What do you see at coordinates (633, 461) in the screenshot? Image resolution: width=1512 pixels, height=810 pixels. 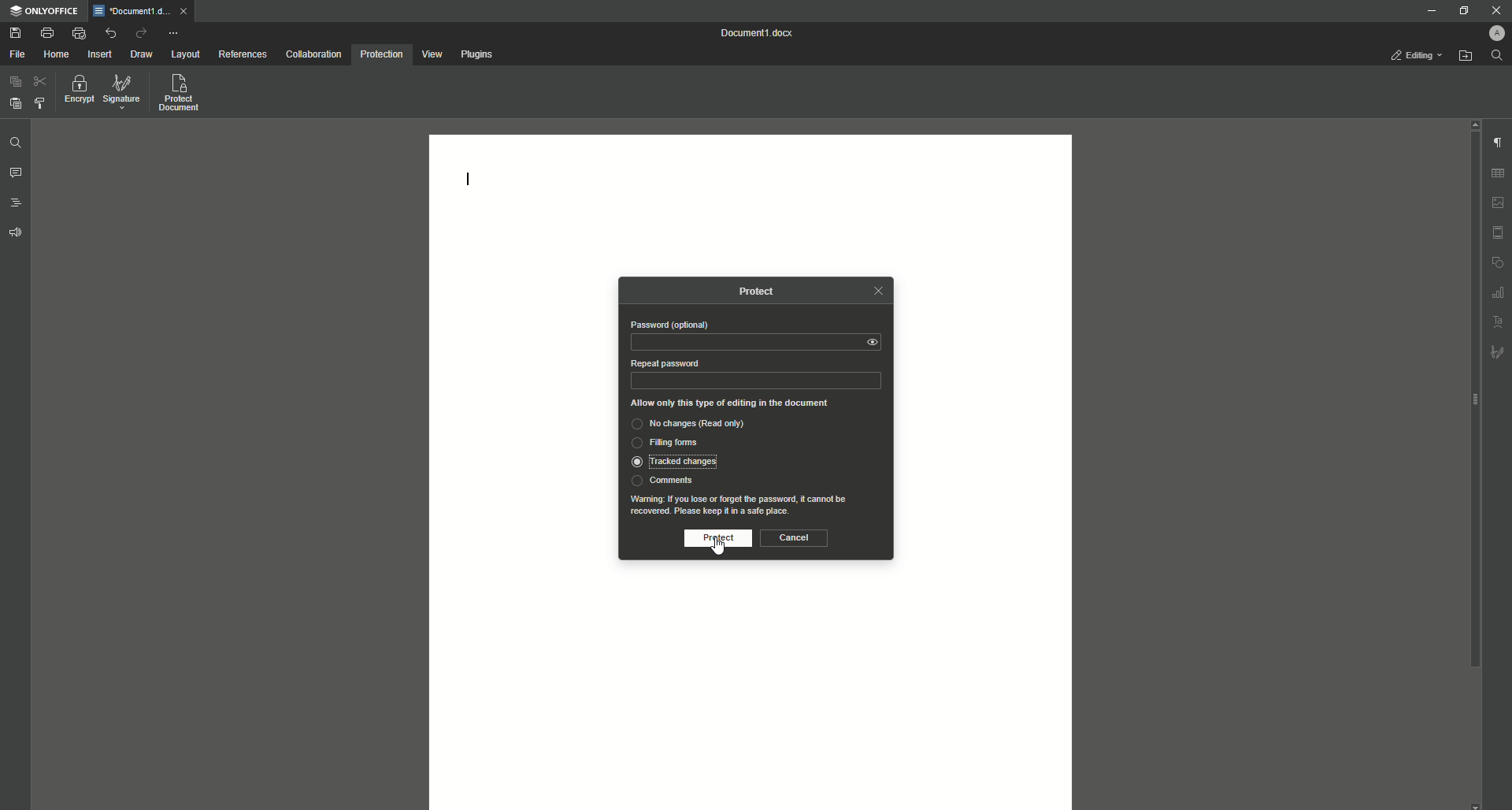 I see `Selected` at bounding box center [633, 461].